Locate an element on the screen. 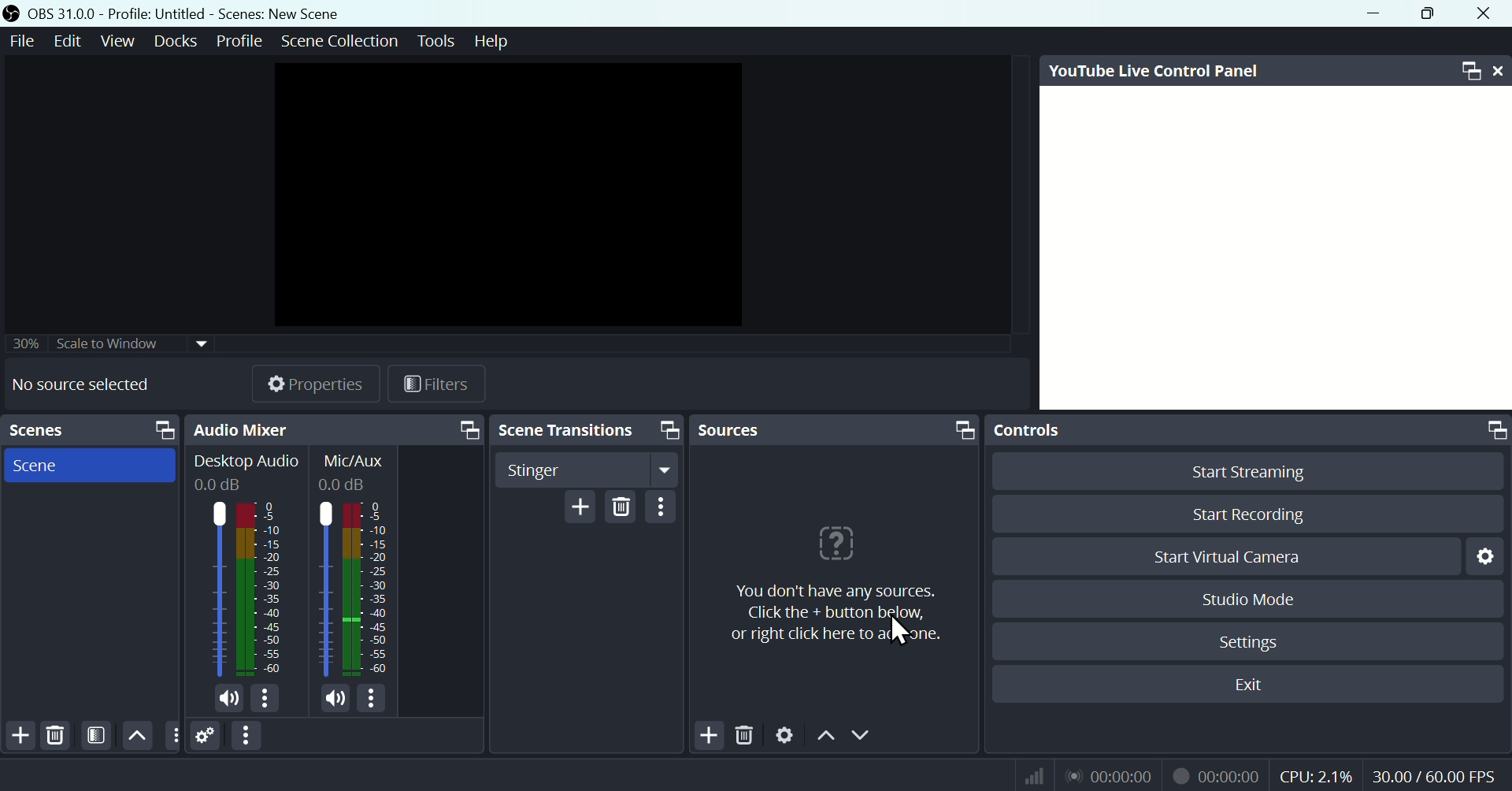 This screenshot has width=1512, height=791. close is located at coordinates (1499, 70).